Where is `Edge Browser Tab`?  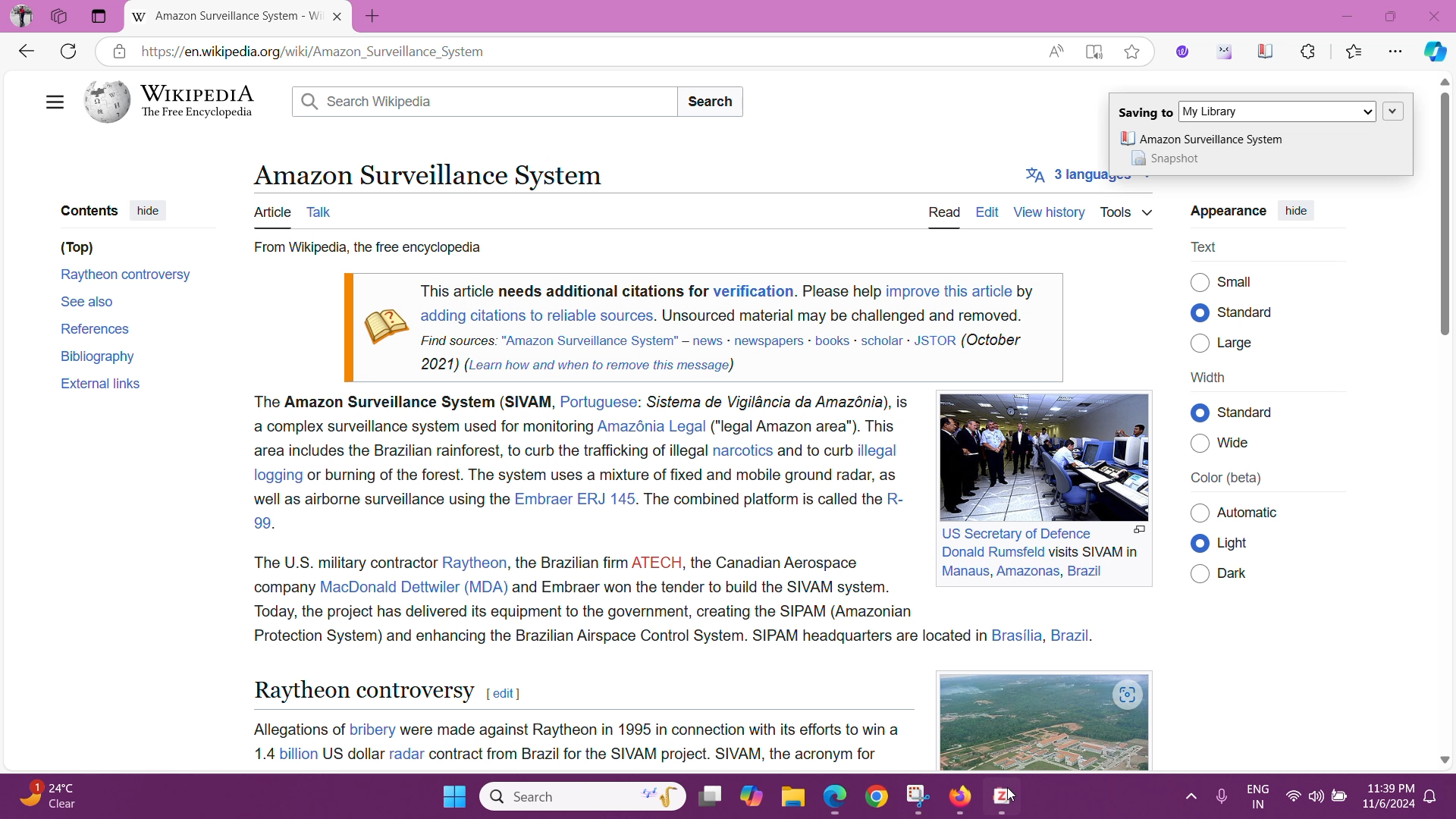
Edge Browser Tab is located at coordinates (227, 17).